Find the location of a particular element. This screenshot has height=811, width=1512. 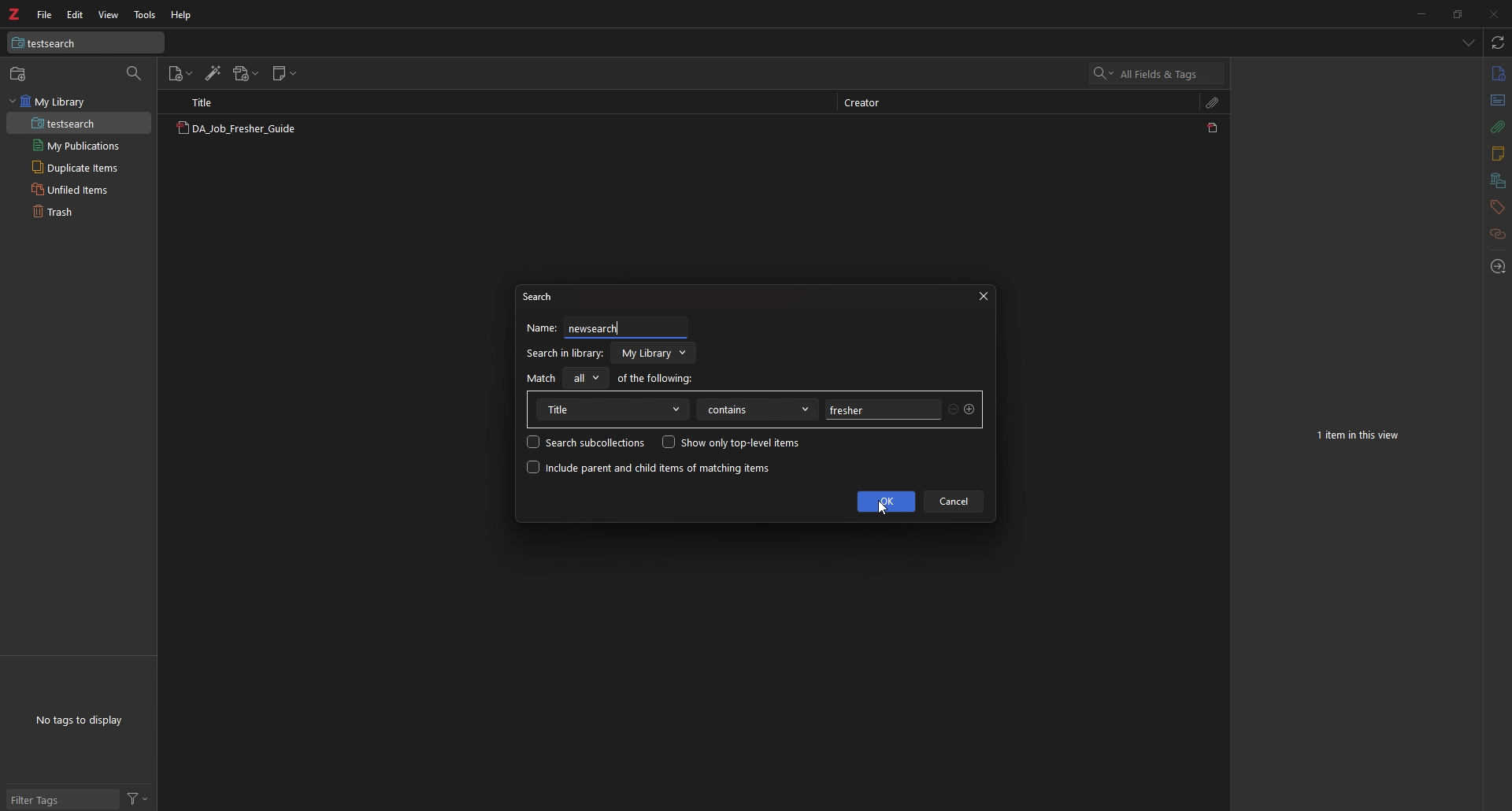

filter tags is located at coordinates (63, 799).